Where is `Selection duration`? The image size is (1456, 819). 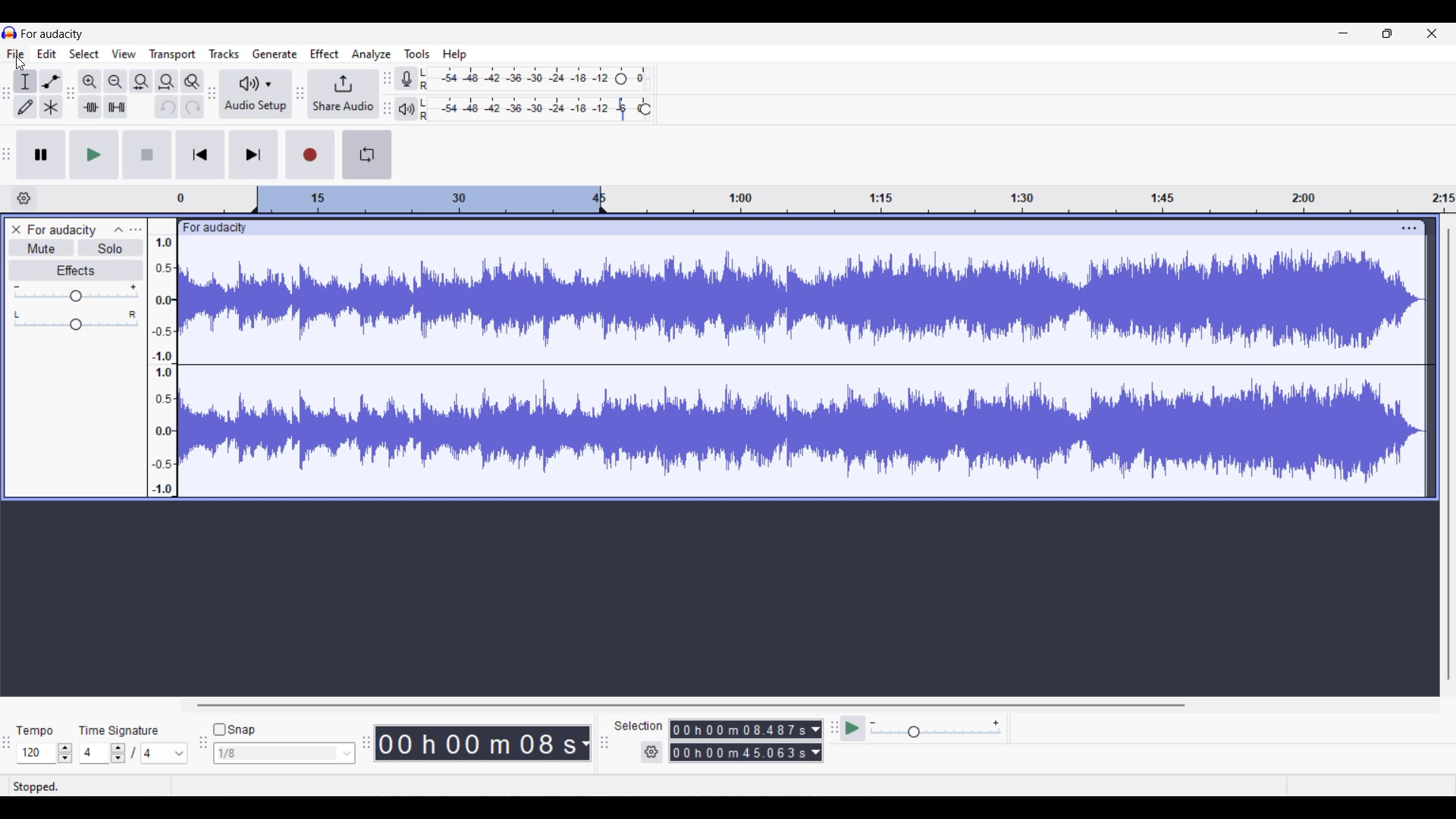
Selection duration is located at coordinates (739, 730).